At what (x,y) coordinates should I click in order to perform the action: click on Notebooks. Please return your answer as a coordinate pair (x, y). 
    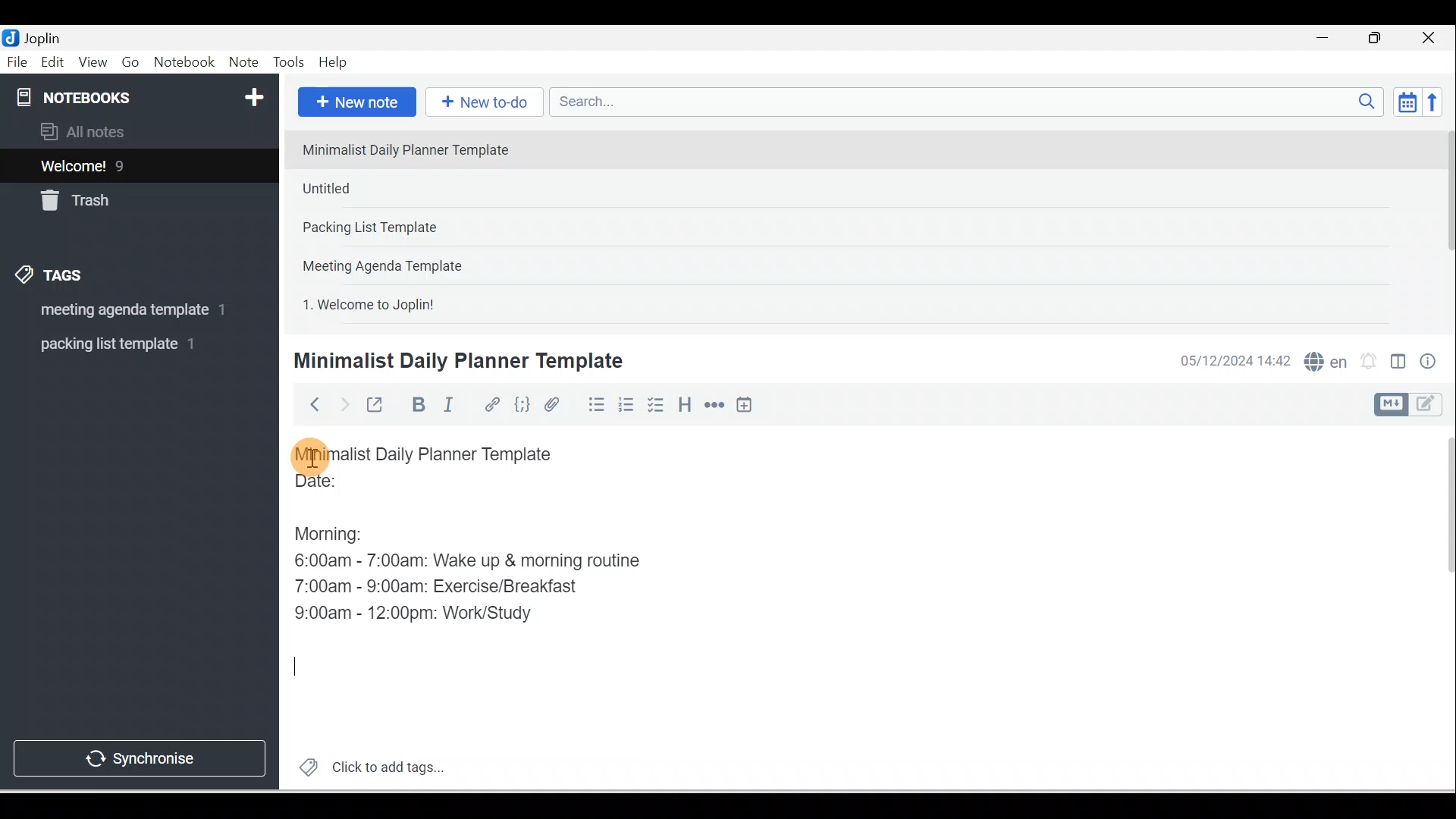
    Looking at the image, I should click on (143, 94).